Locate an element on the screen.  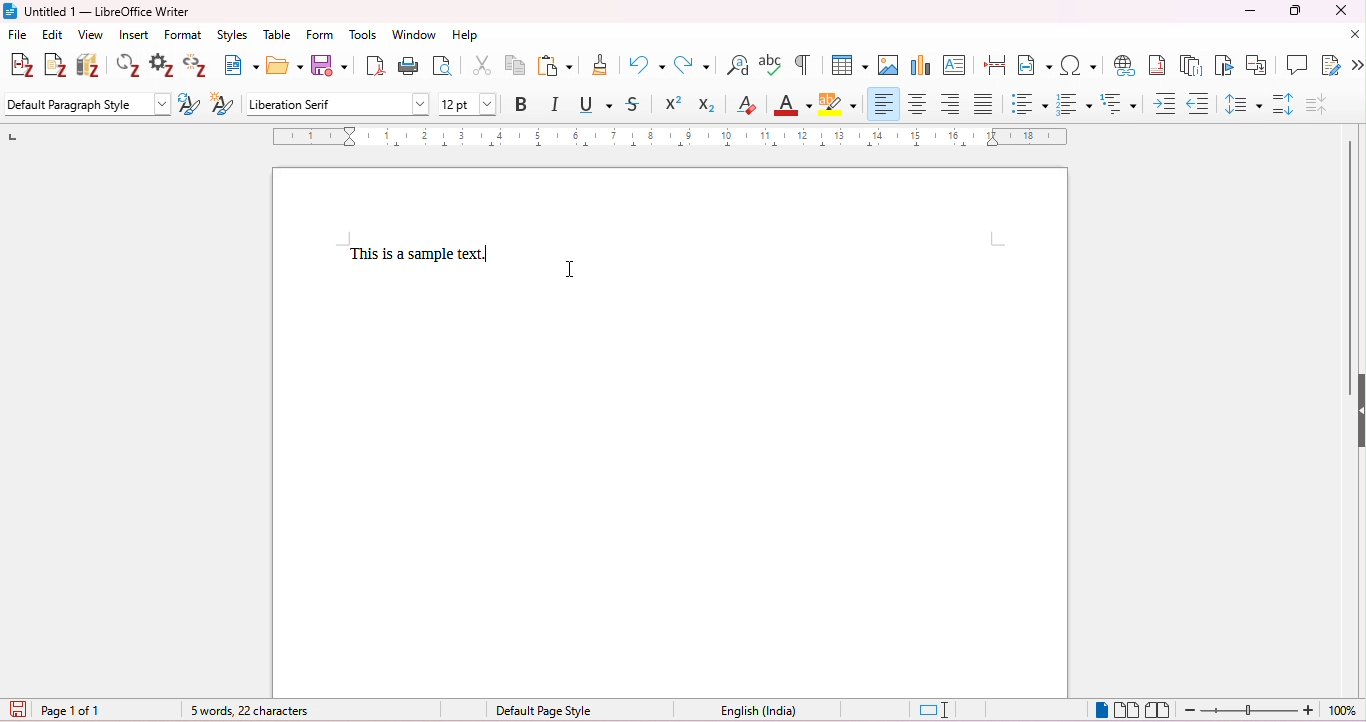
insert text box is located at coordinates (955, 67).